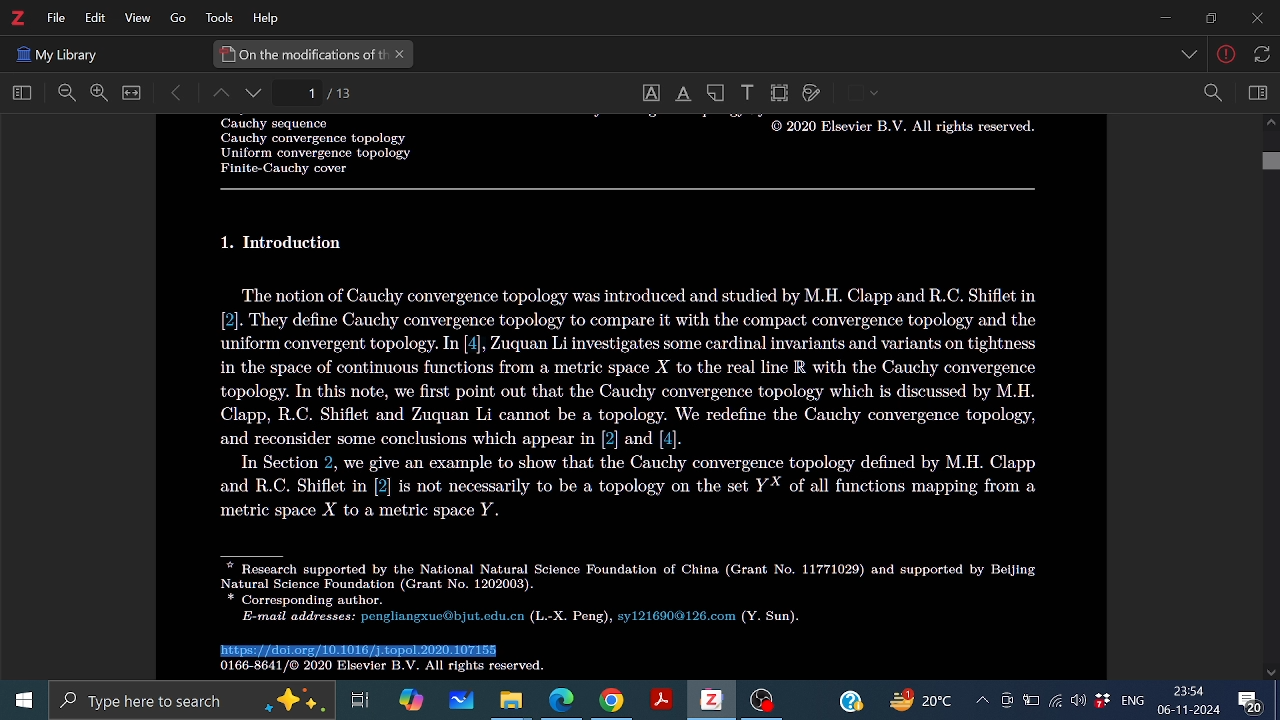 The height and width of the screenshot is (720, 1280). Describe the element at coordinates (1257, 699) in the screenshot. I see `Comment` at that location.